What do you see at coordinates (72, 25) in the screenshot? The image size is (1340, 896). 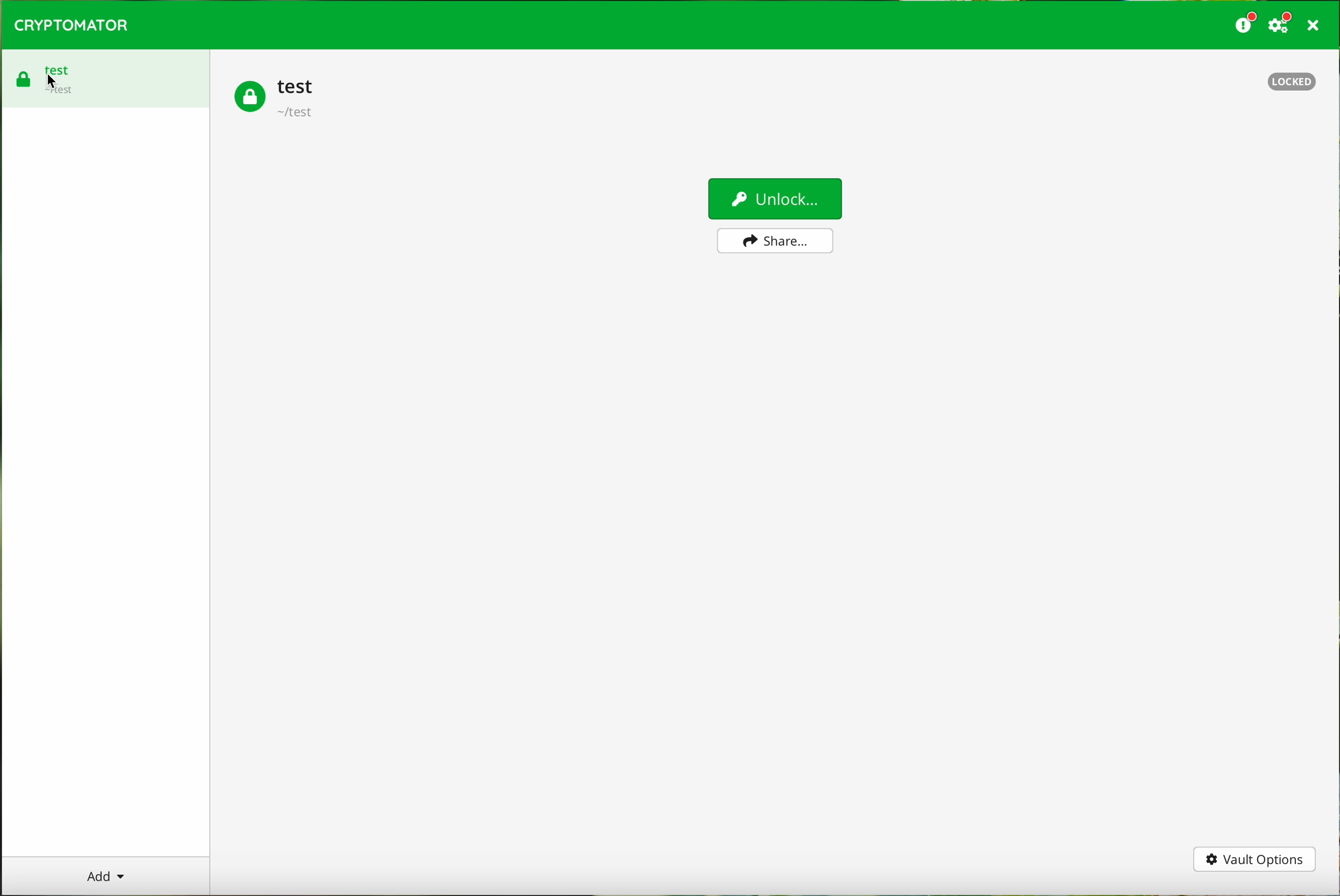 I see `CRYPTOMATOR` at bounding box center [72, 25].